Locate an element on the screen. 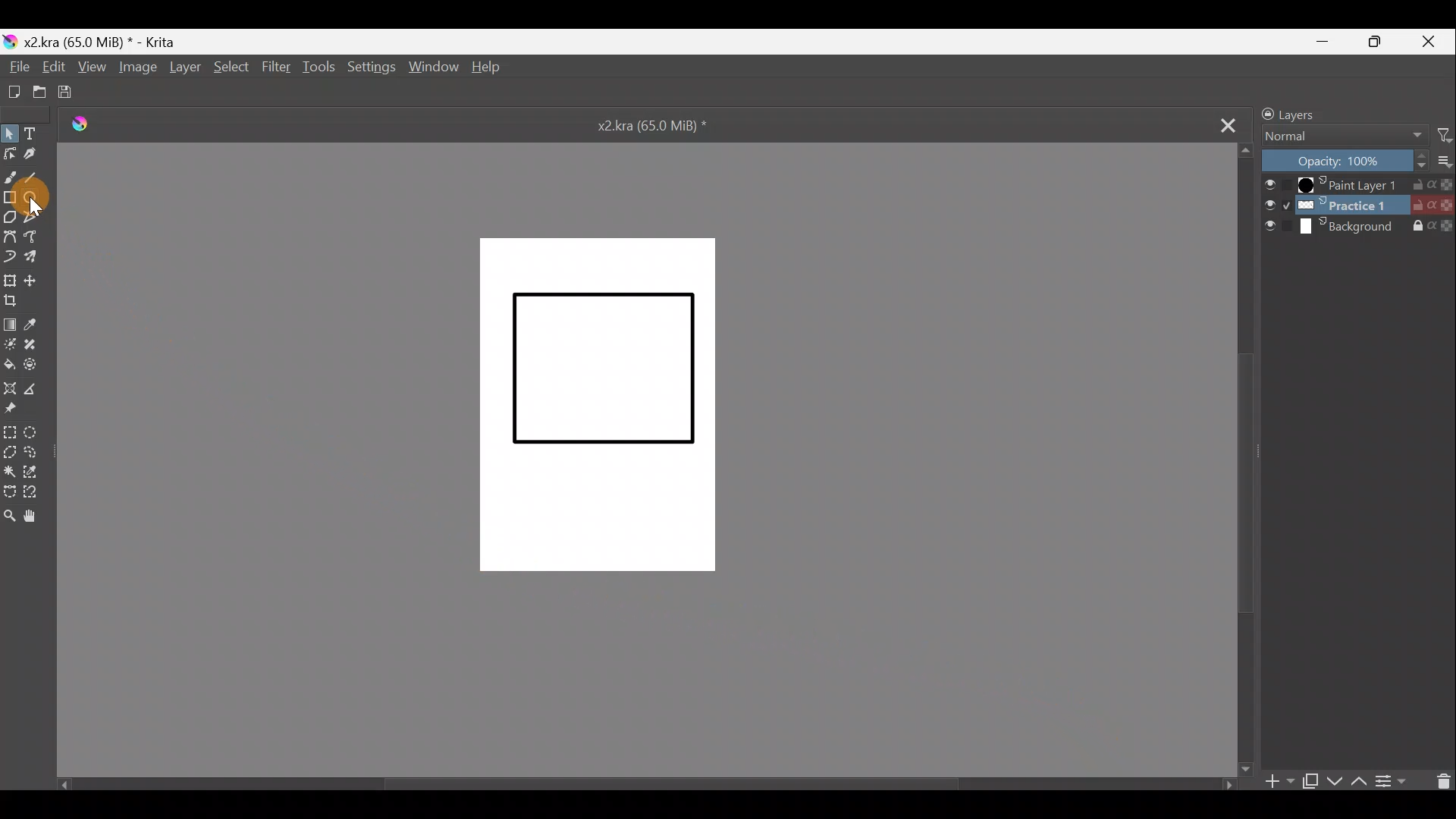  Pan tool is located at coordinates (39, 516).